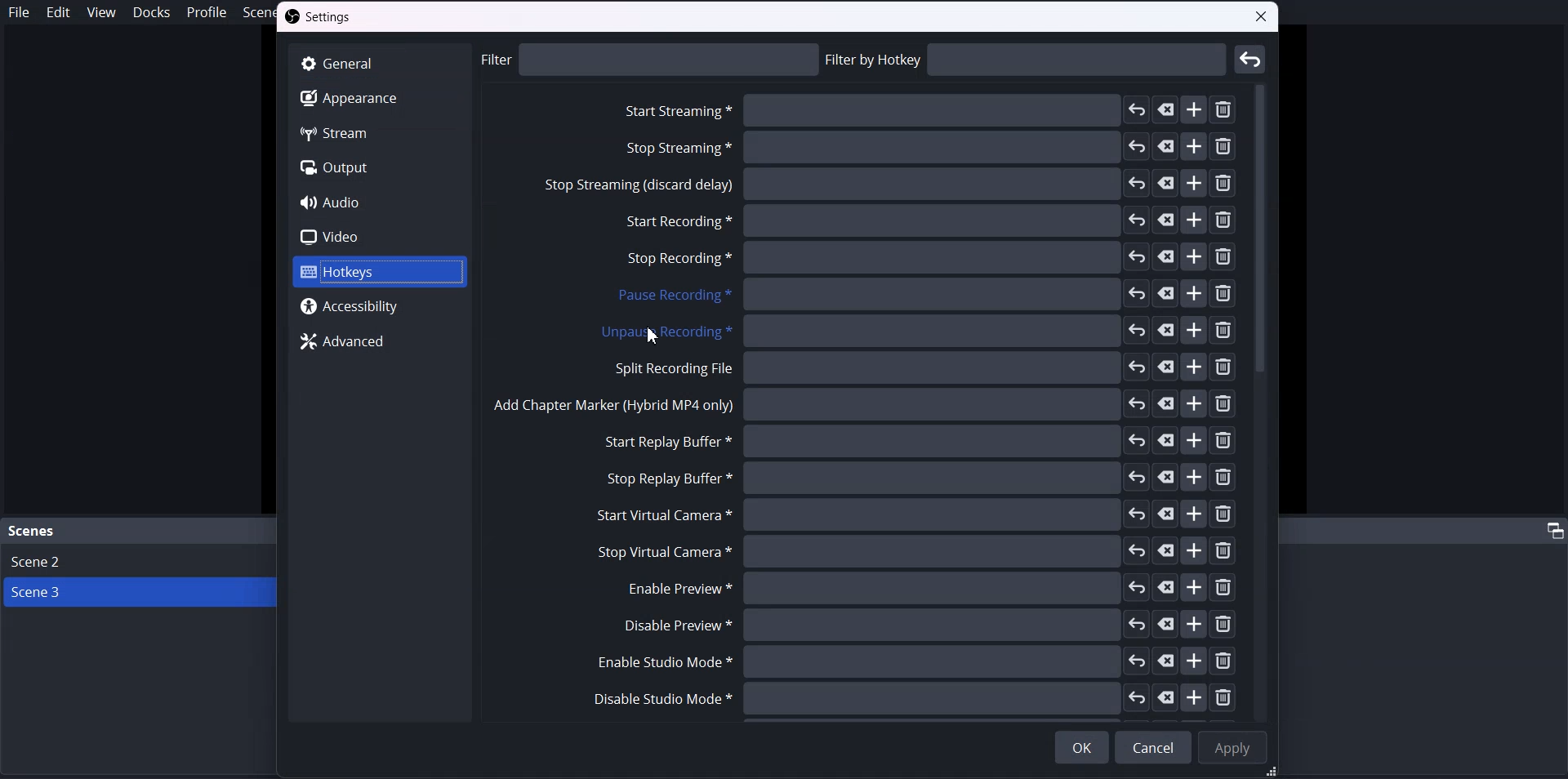 Image resolution: width=1568 pixels, height=779 pixels. What do you see at coordinates (851, 148) in the screenshot?
I see `Stop streaming` at bounding box center [851, 148].